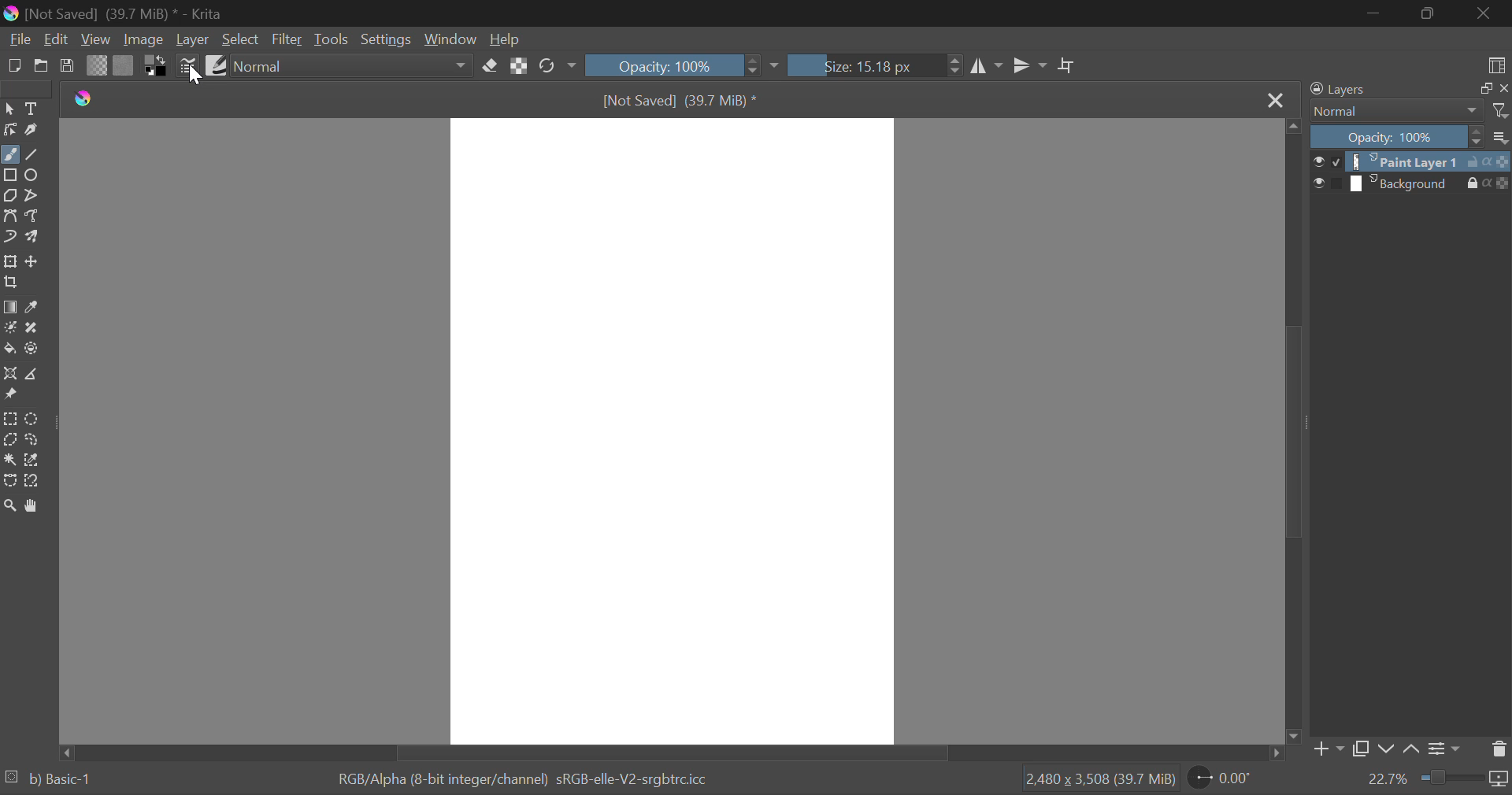 The height and width of the screenshot is (795, 1512). I want to click on Dynamic Brush, so click(9, 237).